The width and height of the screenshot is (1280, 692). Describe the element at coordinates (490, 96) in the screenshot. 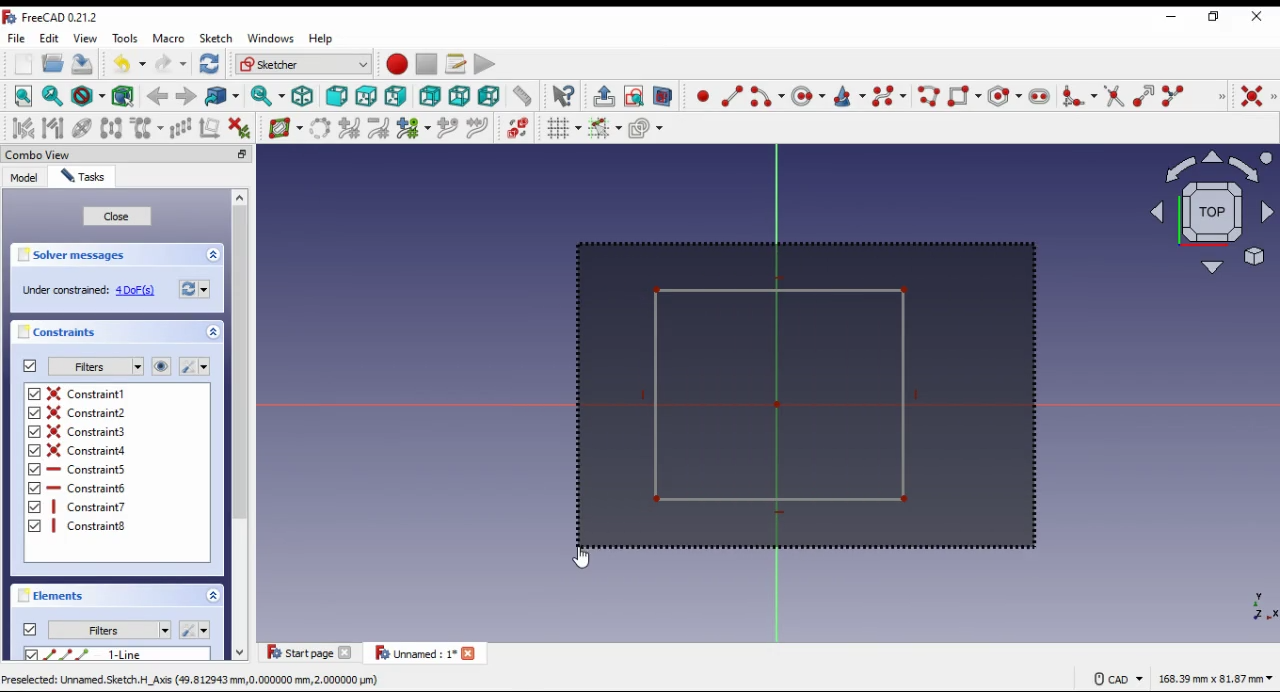

I see `left` at that location.